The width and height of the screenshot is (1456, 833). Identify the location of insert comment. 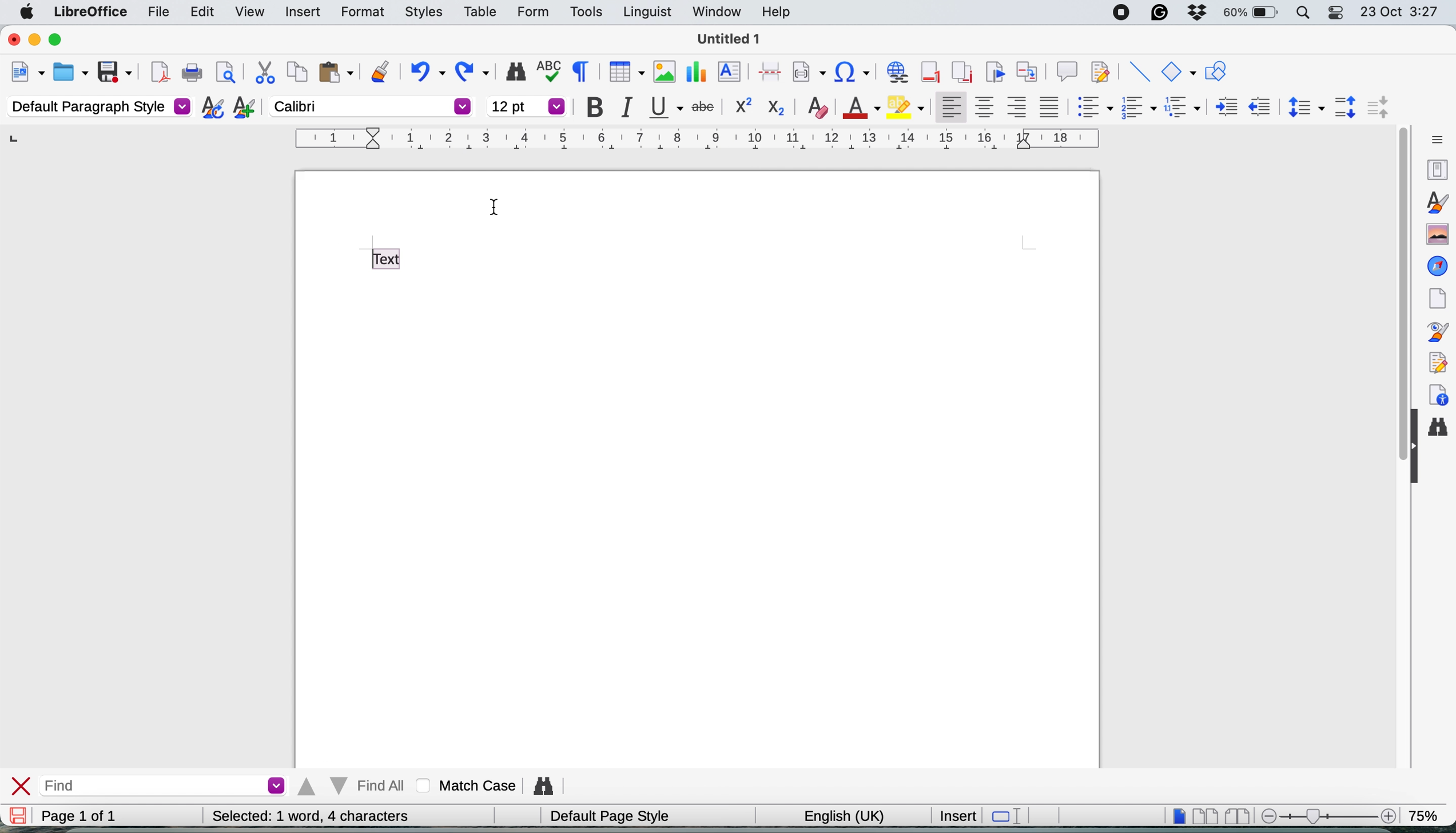
(1066, 72).